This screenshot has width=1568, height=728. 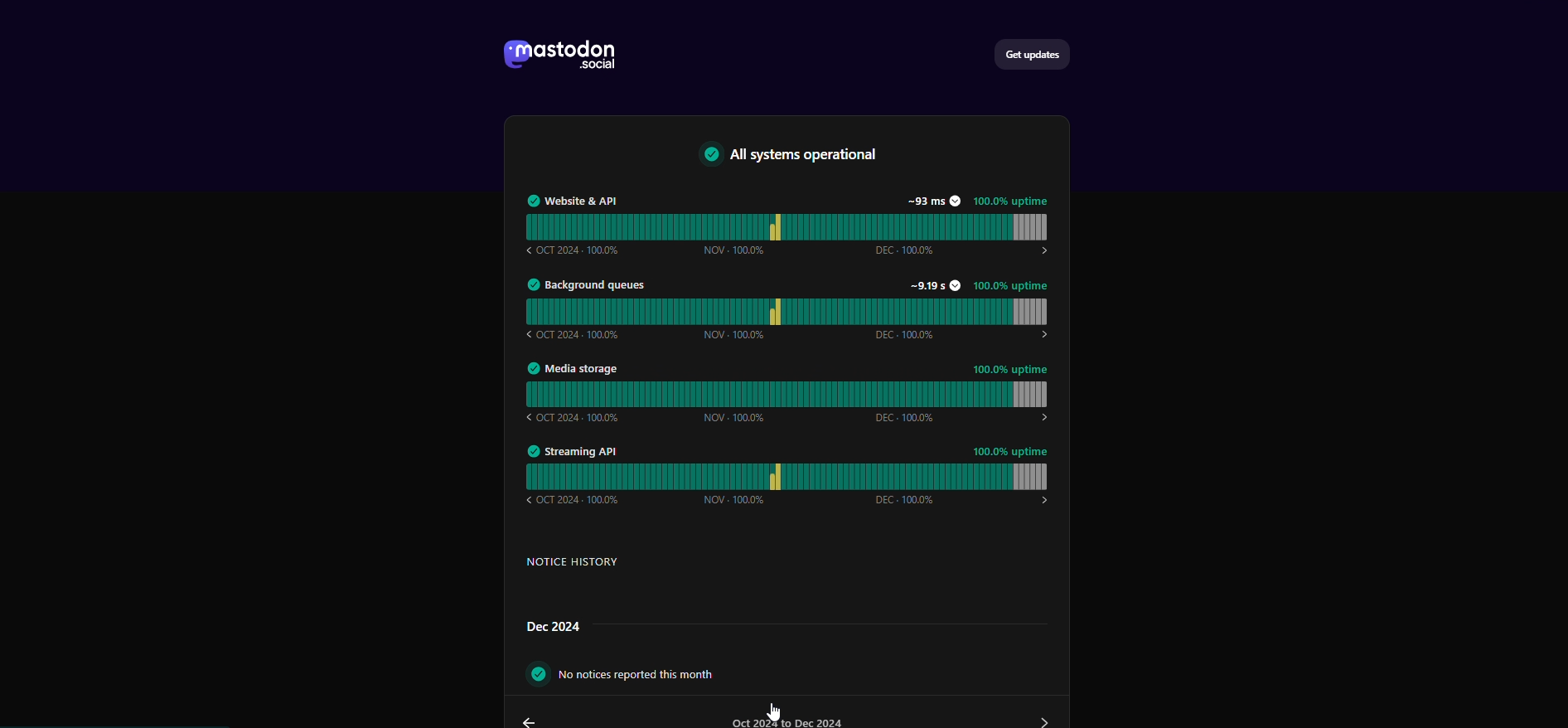 What do you see at coordinates (795, 308) in the screenshot?
I see `background queue status` at bounding box center [795, 308].